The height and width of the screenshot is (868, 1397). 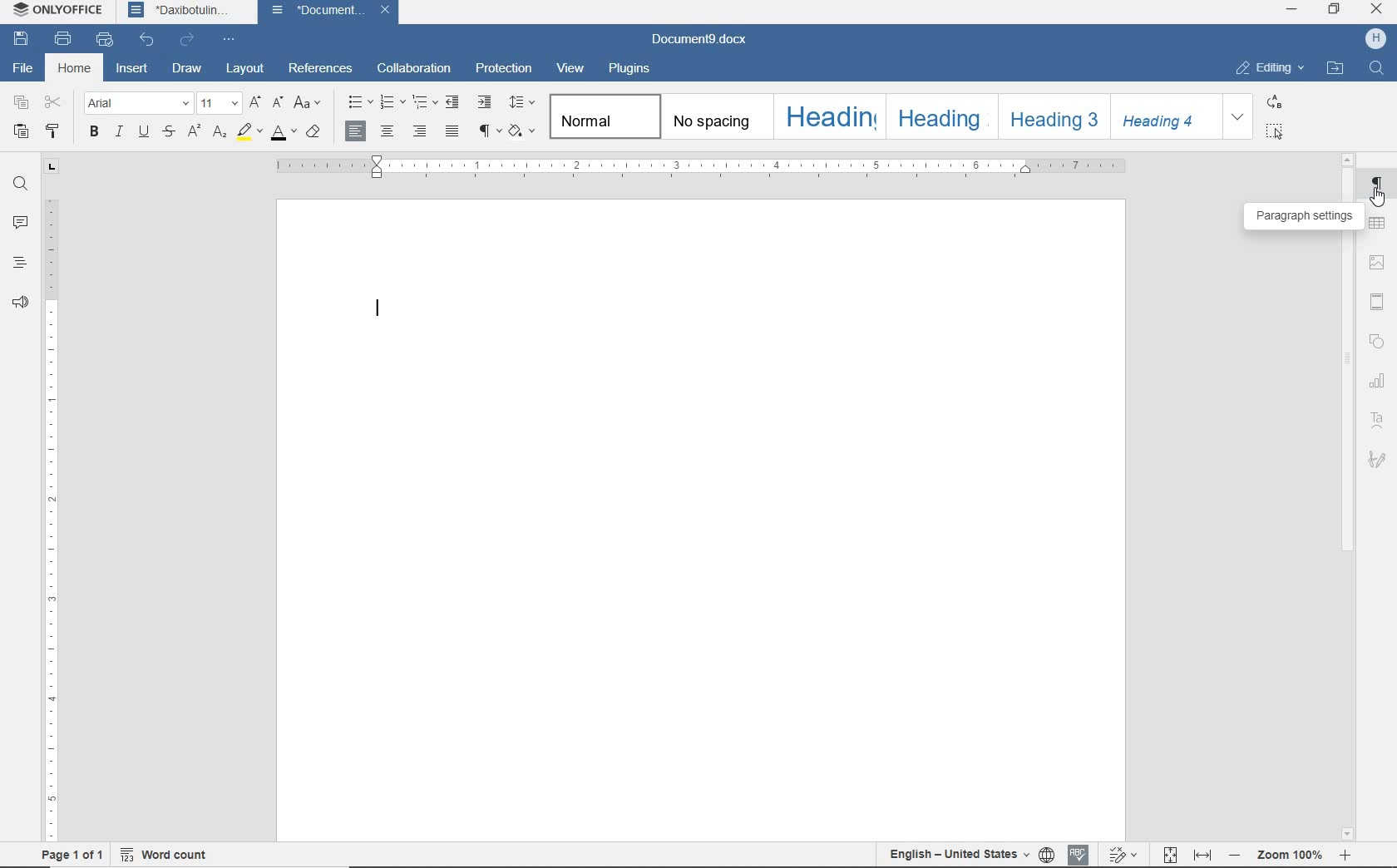 I want to click on font, so click(x=136, y=104).